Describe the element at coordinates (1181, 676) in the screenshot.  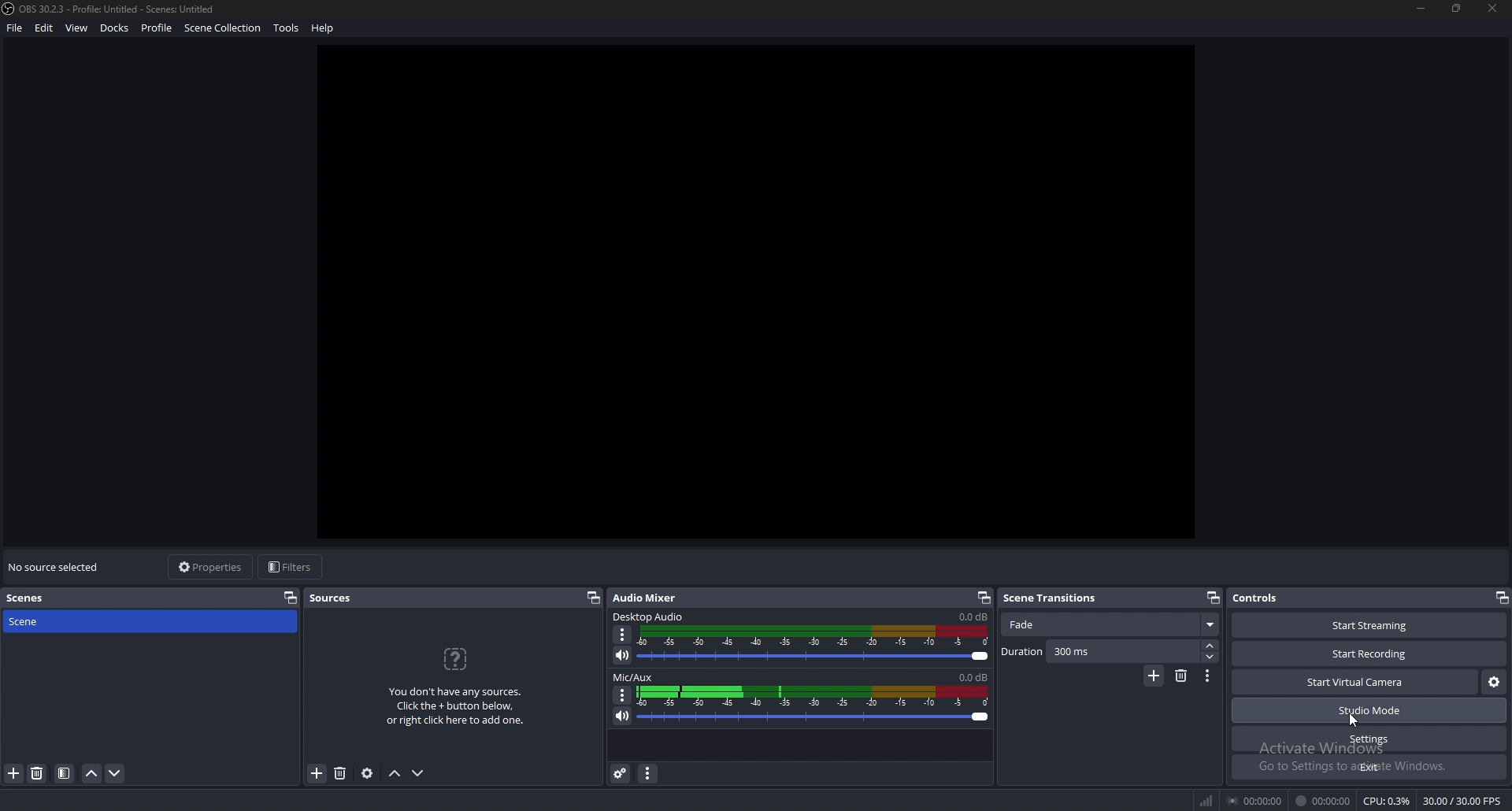
I see `Delete scene transitions` at that location.